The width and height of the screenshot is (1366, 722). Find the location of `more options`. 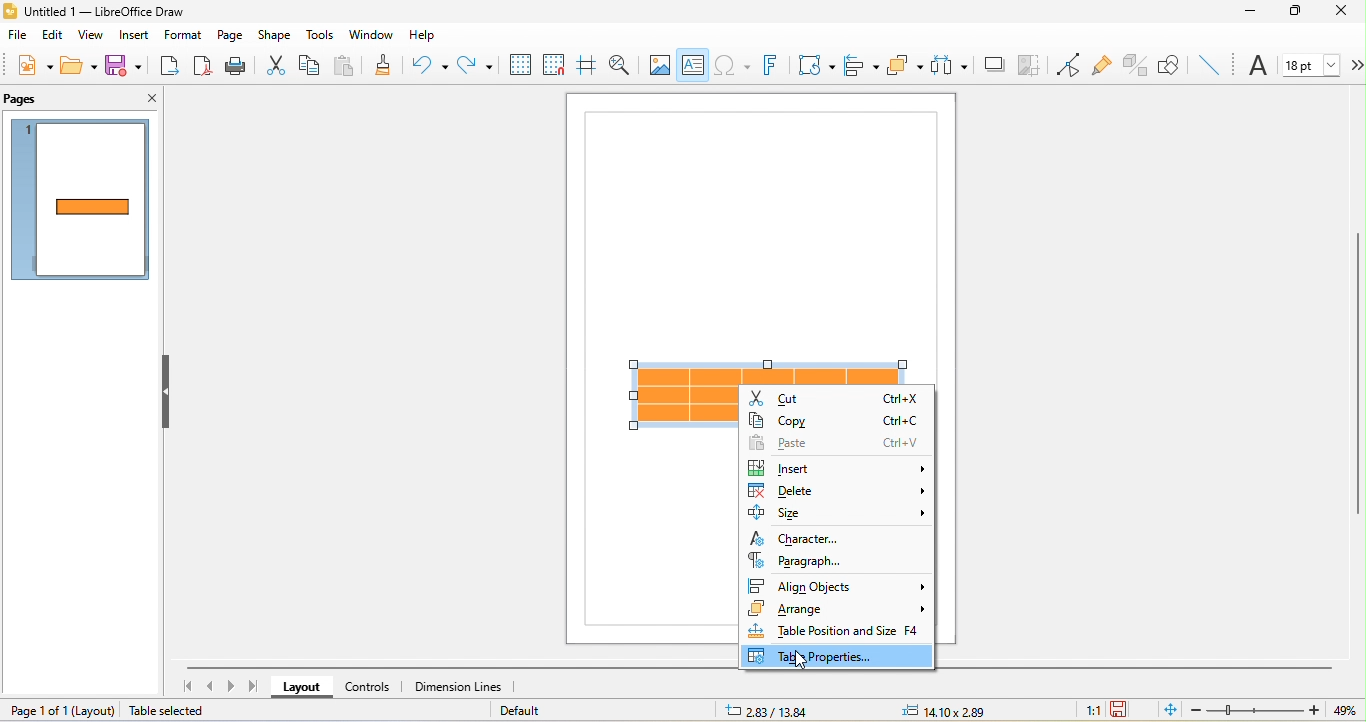

more options is located at coordinates (1357, 65).